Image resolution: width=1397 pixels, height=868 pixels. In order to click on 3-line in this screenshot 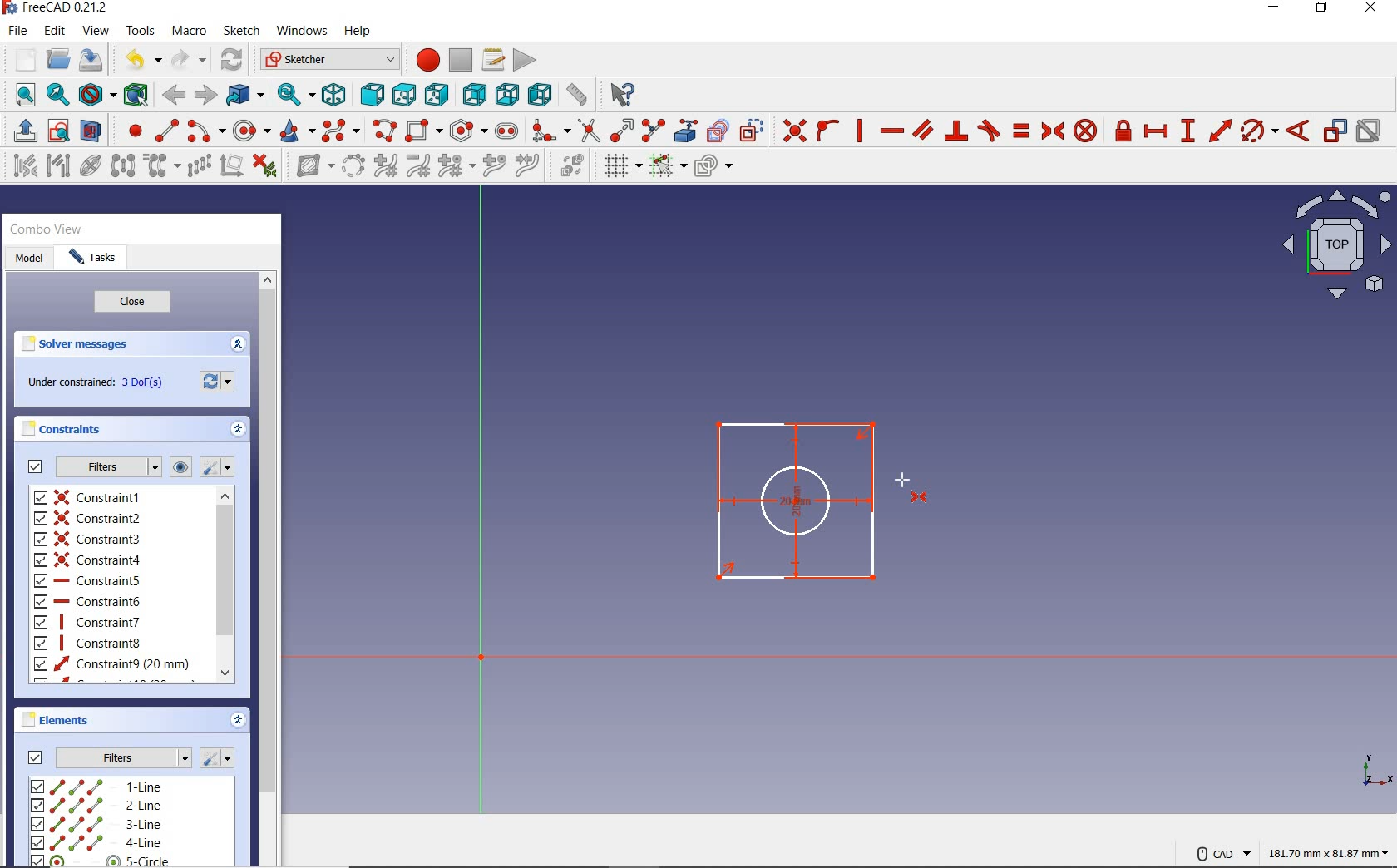, I will do `click(130, 826)`.